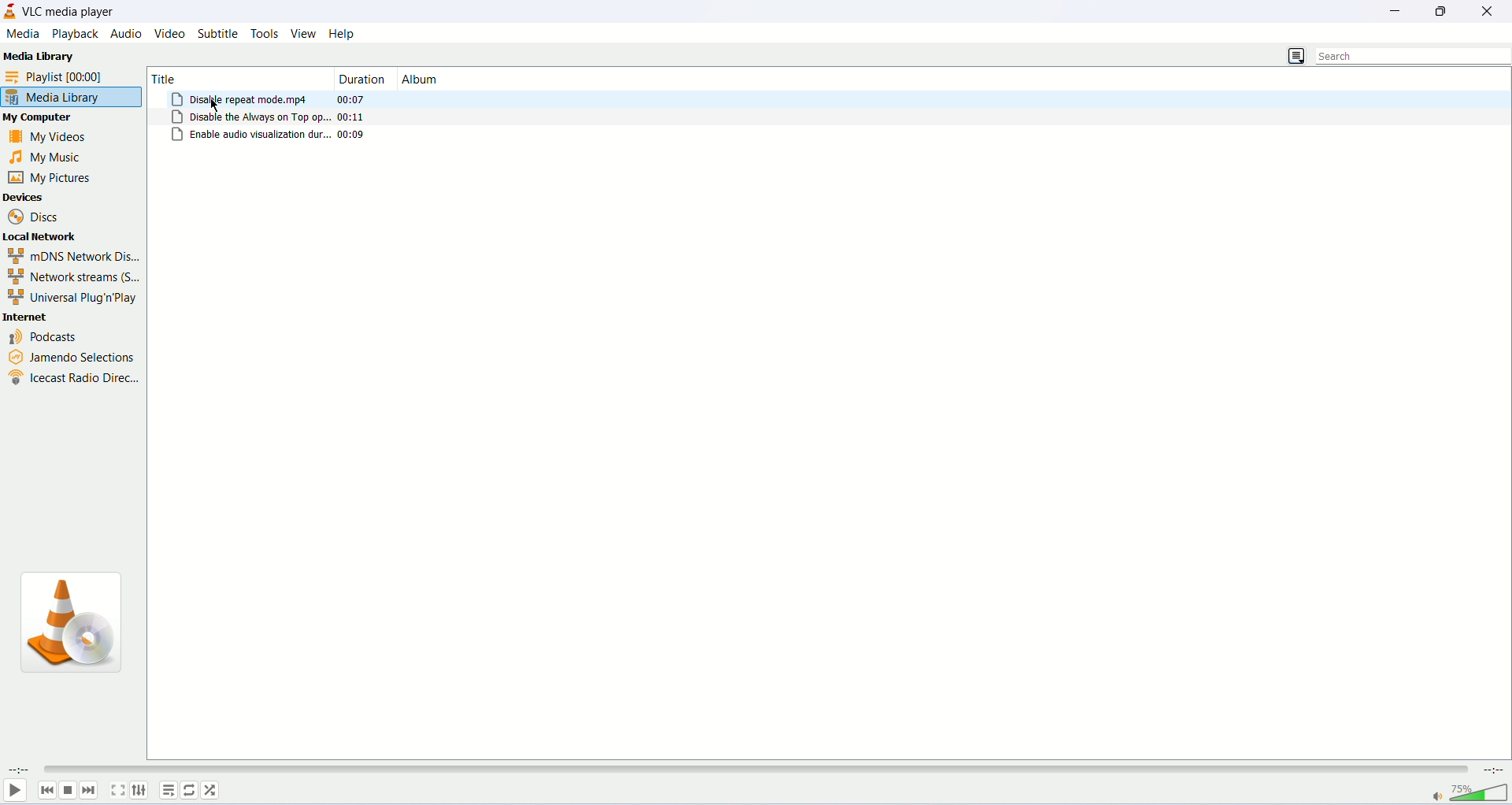 This screenshot has height=805, width=1512. What do you see at coordinates (72, 11) in the screenshot?
I see `VLC media player` at bounding box center [72, 11].